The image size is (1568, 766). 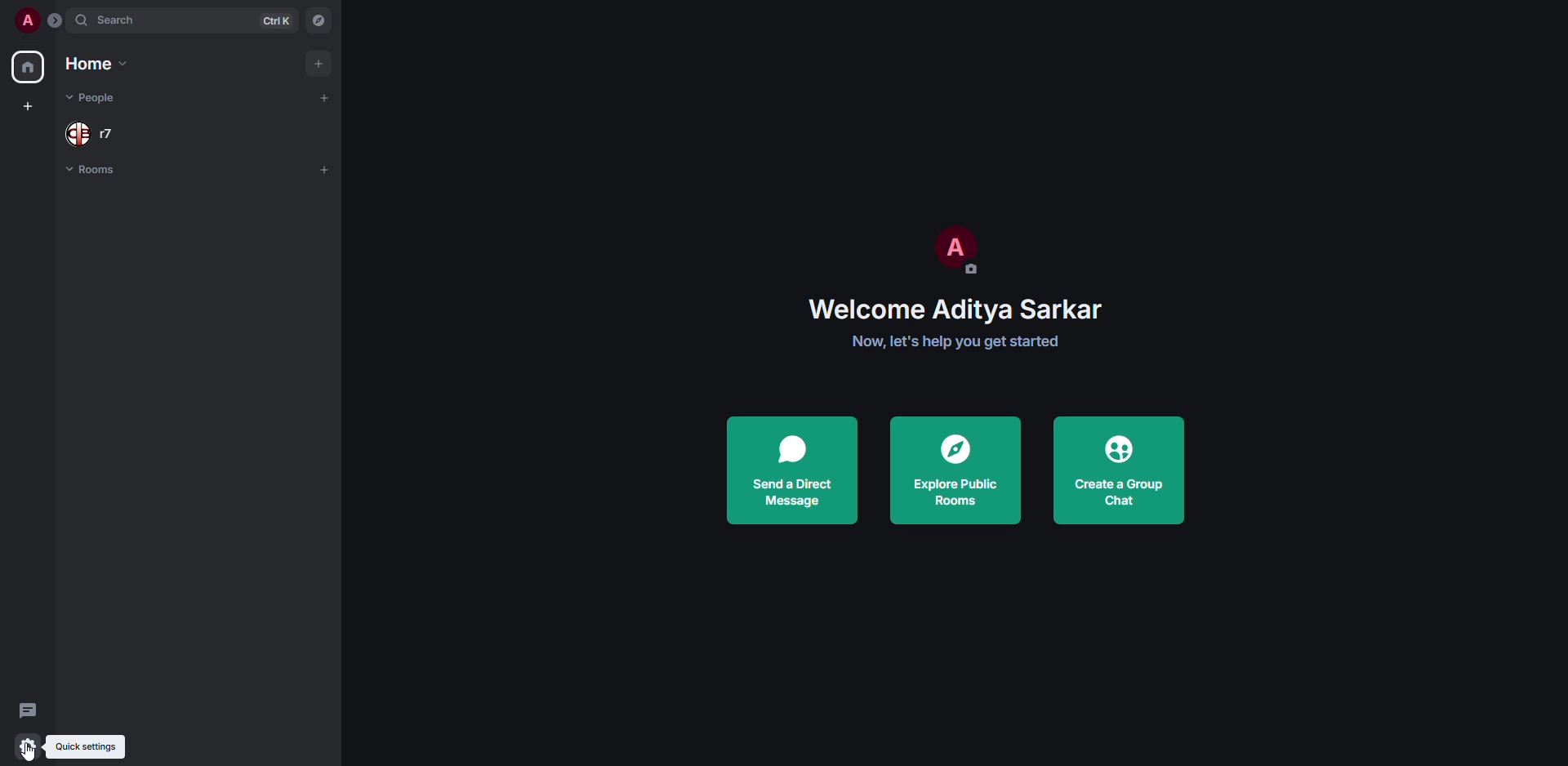 What do you see at coordinates (278, 20) in the screenshot?
I see `ctrl K` at bounding box center [278, 20].